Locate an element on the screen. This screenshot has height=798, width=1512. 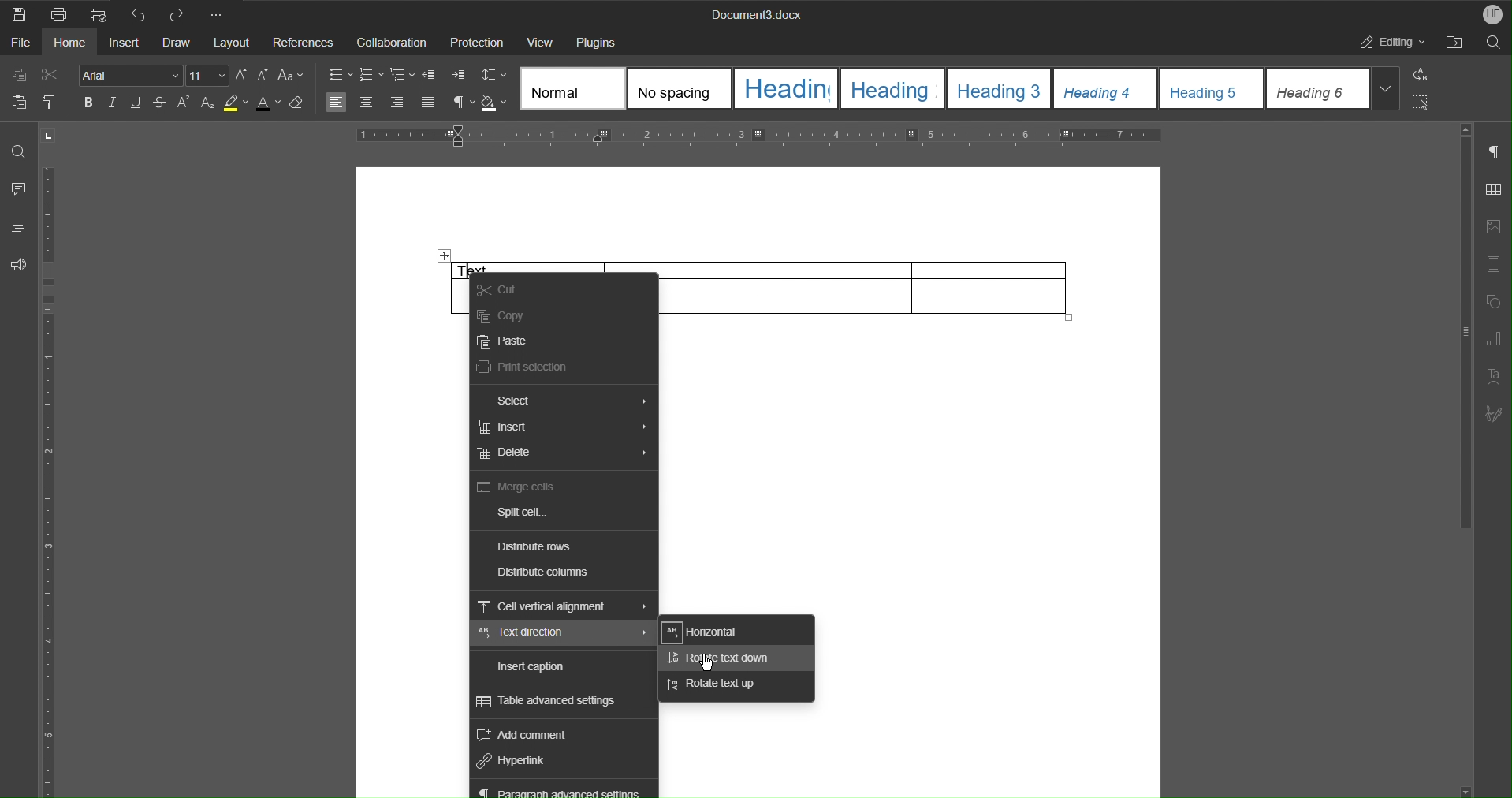
Collaboration is located at coordinates (391, 42).